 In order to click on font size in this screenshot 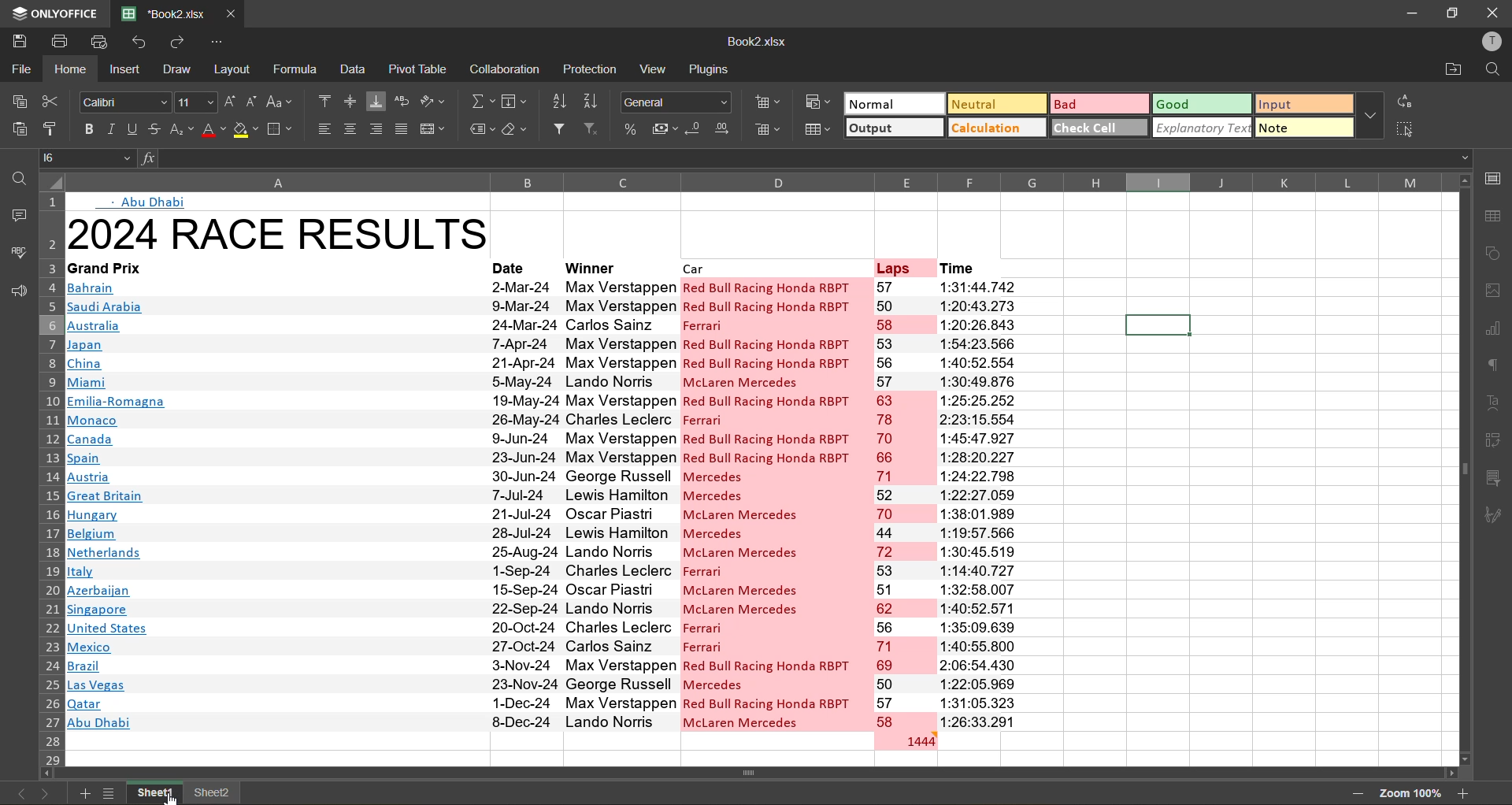, I will do `click(197, 101)`.